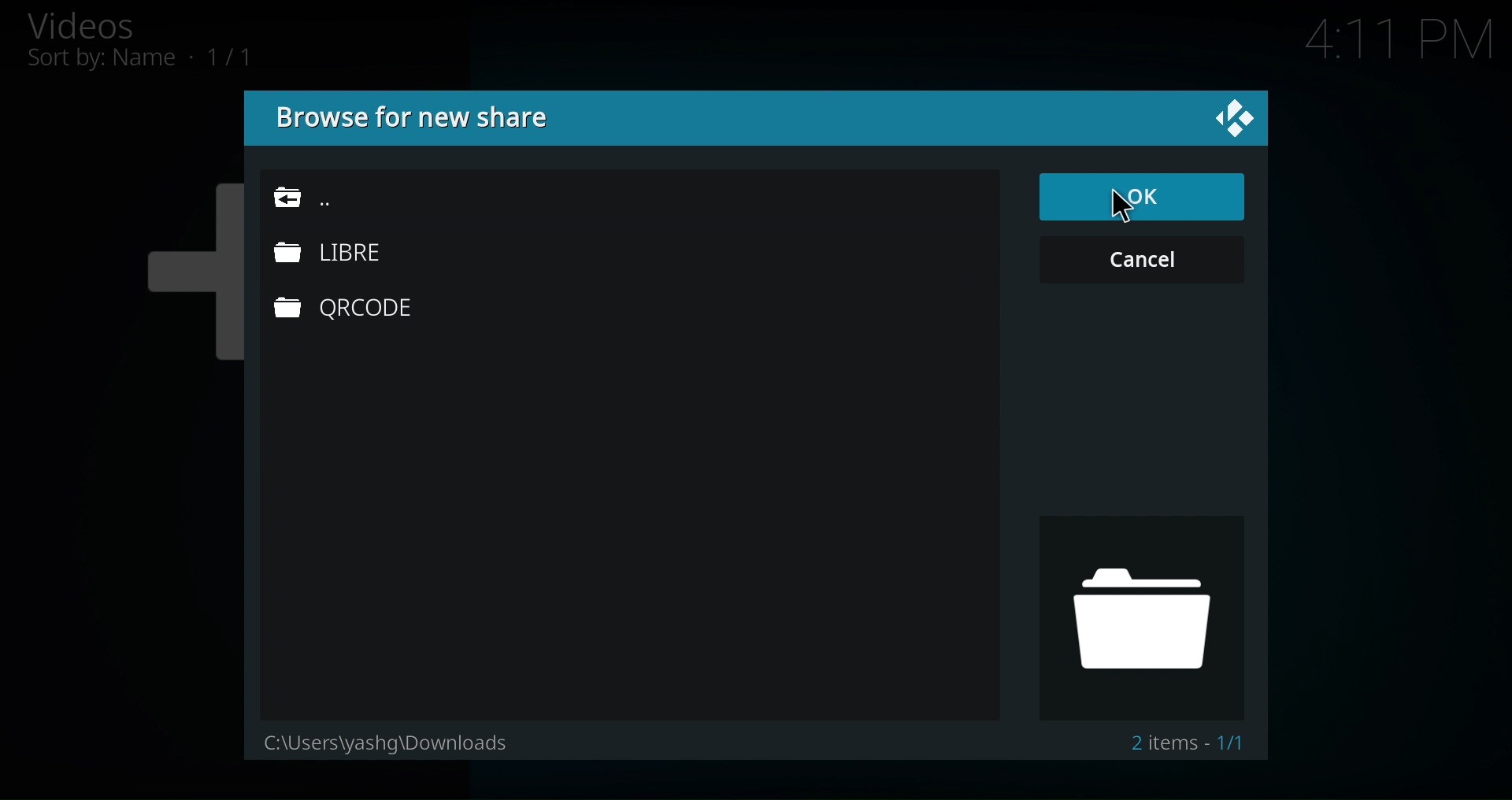 The image size is (1512, 800). What do you see at coordinates (156, 43) in the screenshot?
I see `Videos, Sort by: Name • 1/1` at bounding box center [156, 43].